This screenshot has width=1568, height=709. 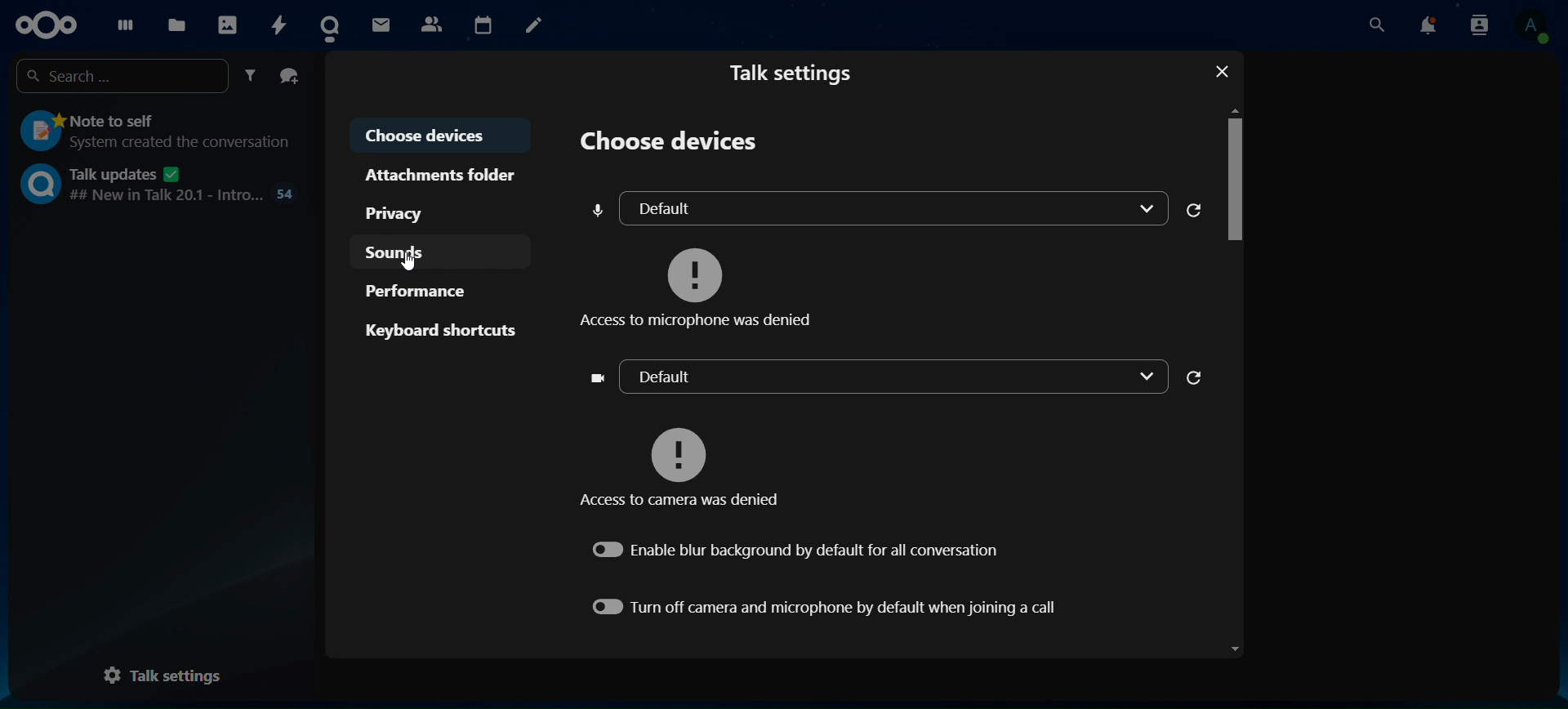 I want to click on access to microphone was denied, so click(x=698, y=283).